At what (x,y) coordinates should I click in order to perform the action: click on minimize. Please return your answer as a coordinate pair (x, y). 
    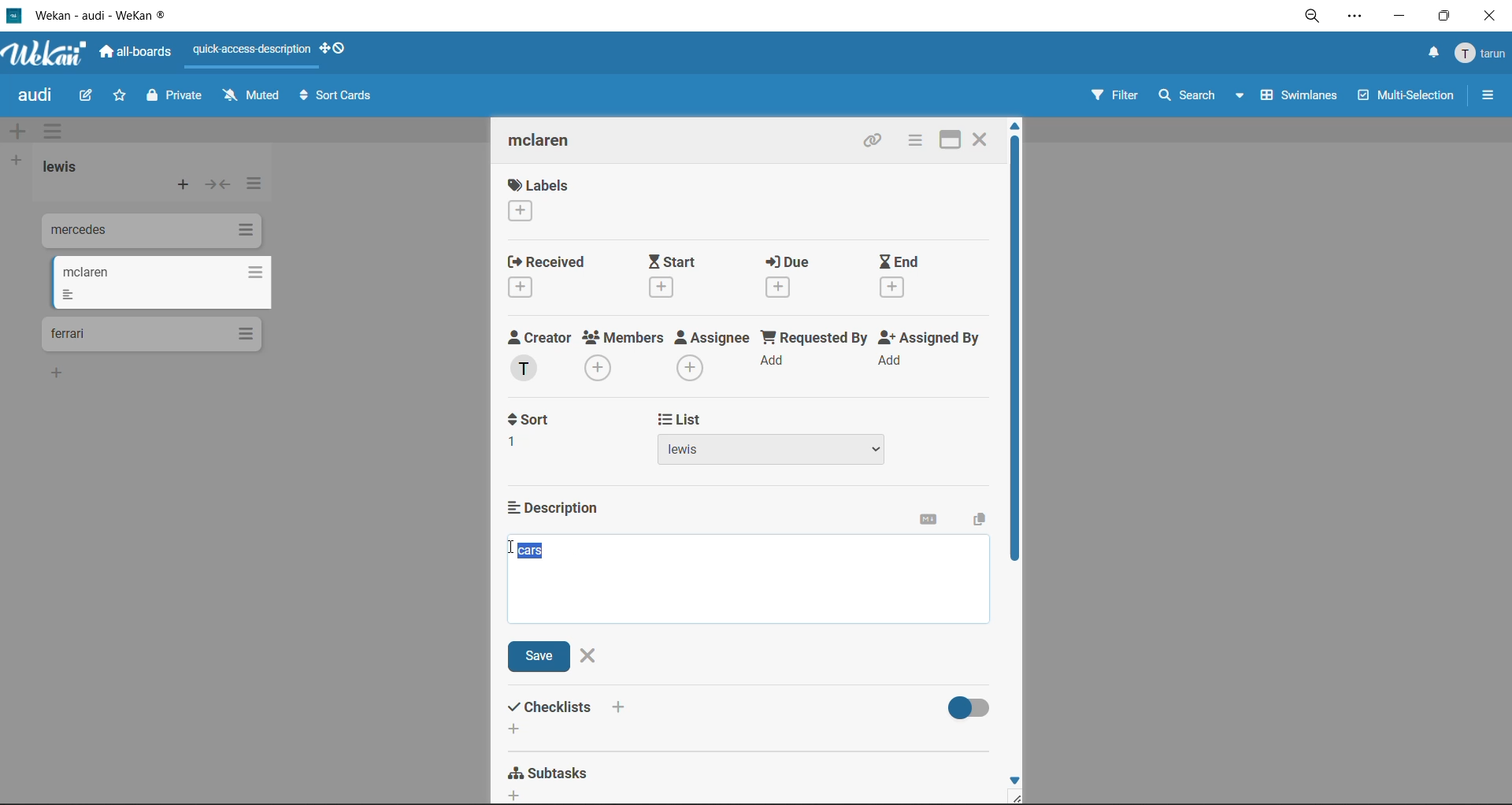
    Looking at the image, I should click on (1398, 14).